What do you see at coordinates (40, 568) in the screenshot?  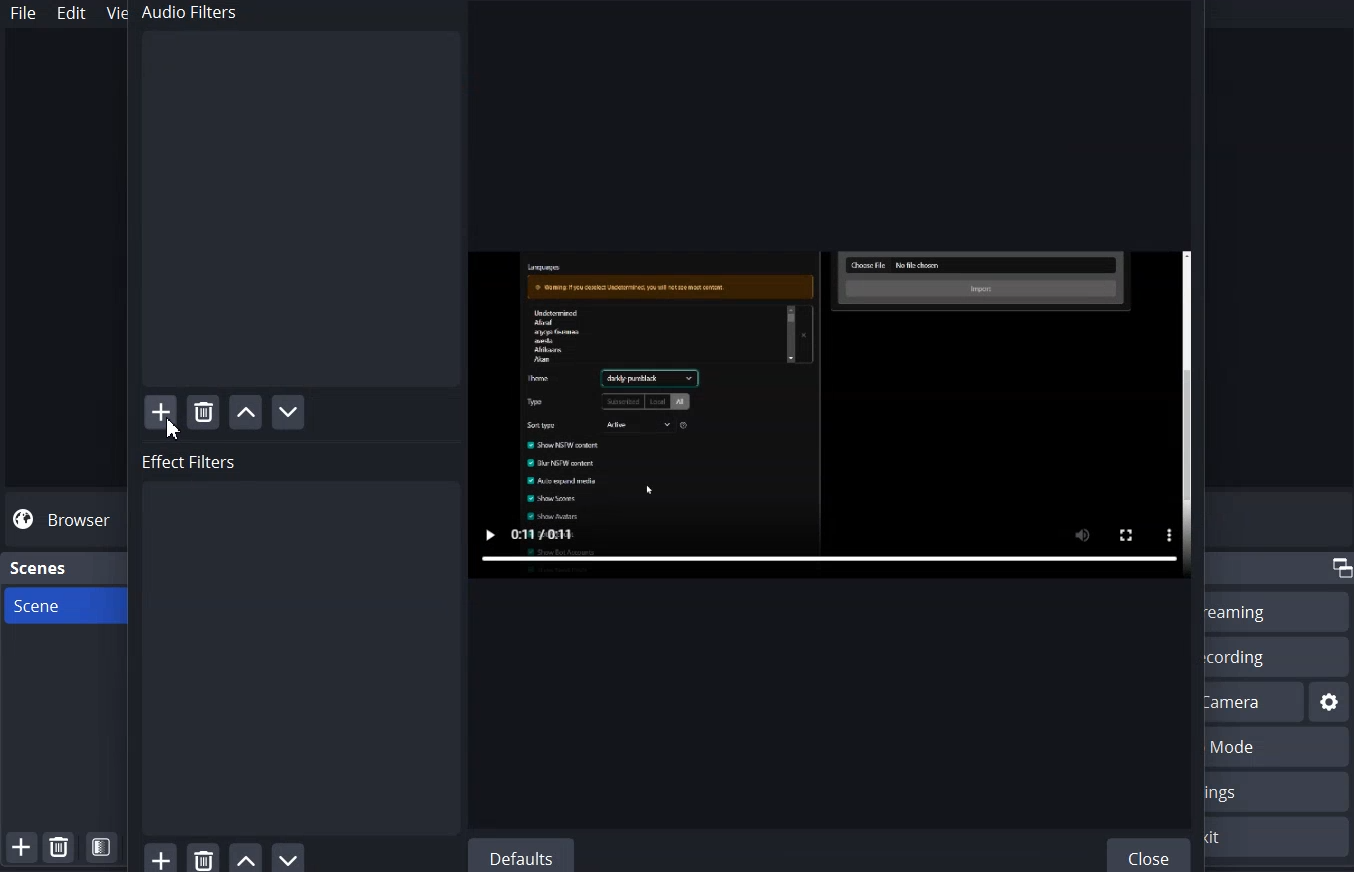 I see `Scene` at bounding box center [40, 568].